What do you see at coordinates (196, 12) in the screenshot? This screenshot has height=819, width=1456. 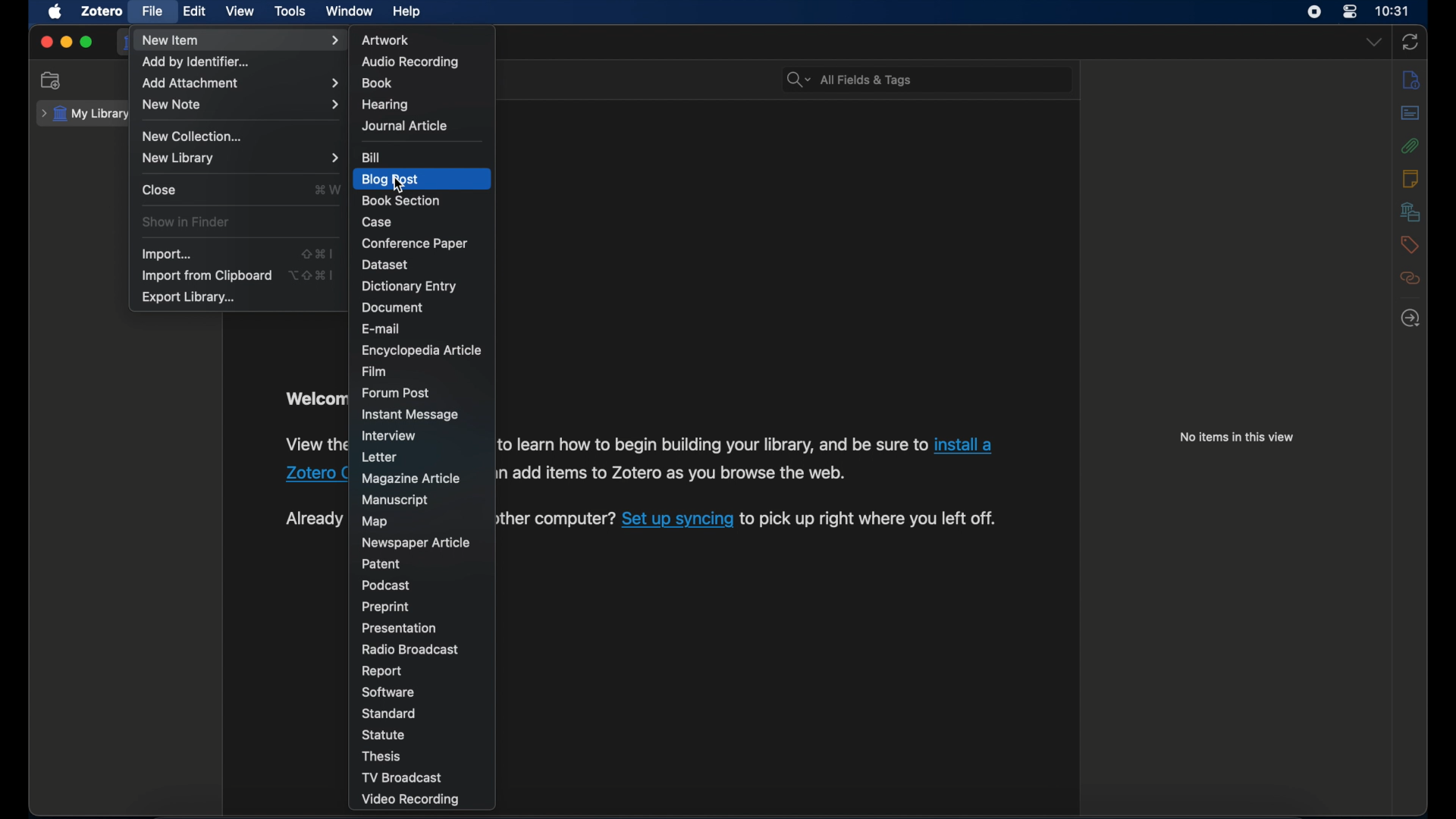 I see `edit` at bounding box center [196, 12].